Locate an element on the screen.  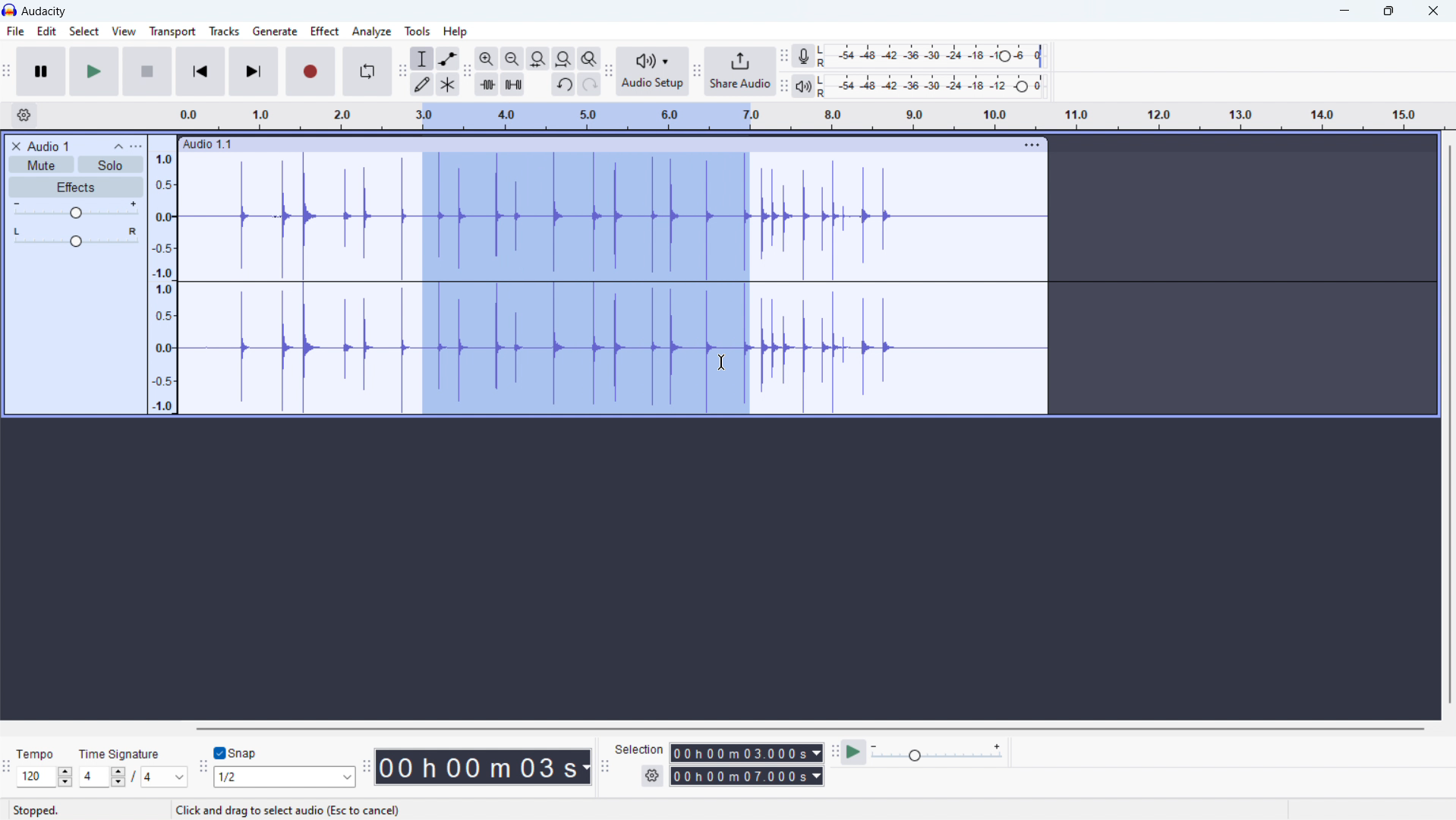
playback meter is located at coordinates (807, 87).